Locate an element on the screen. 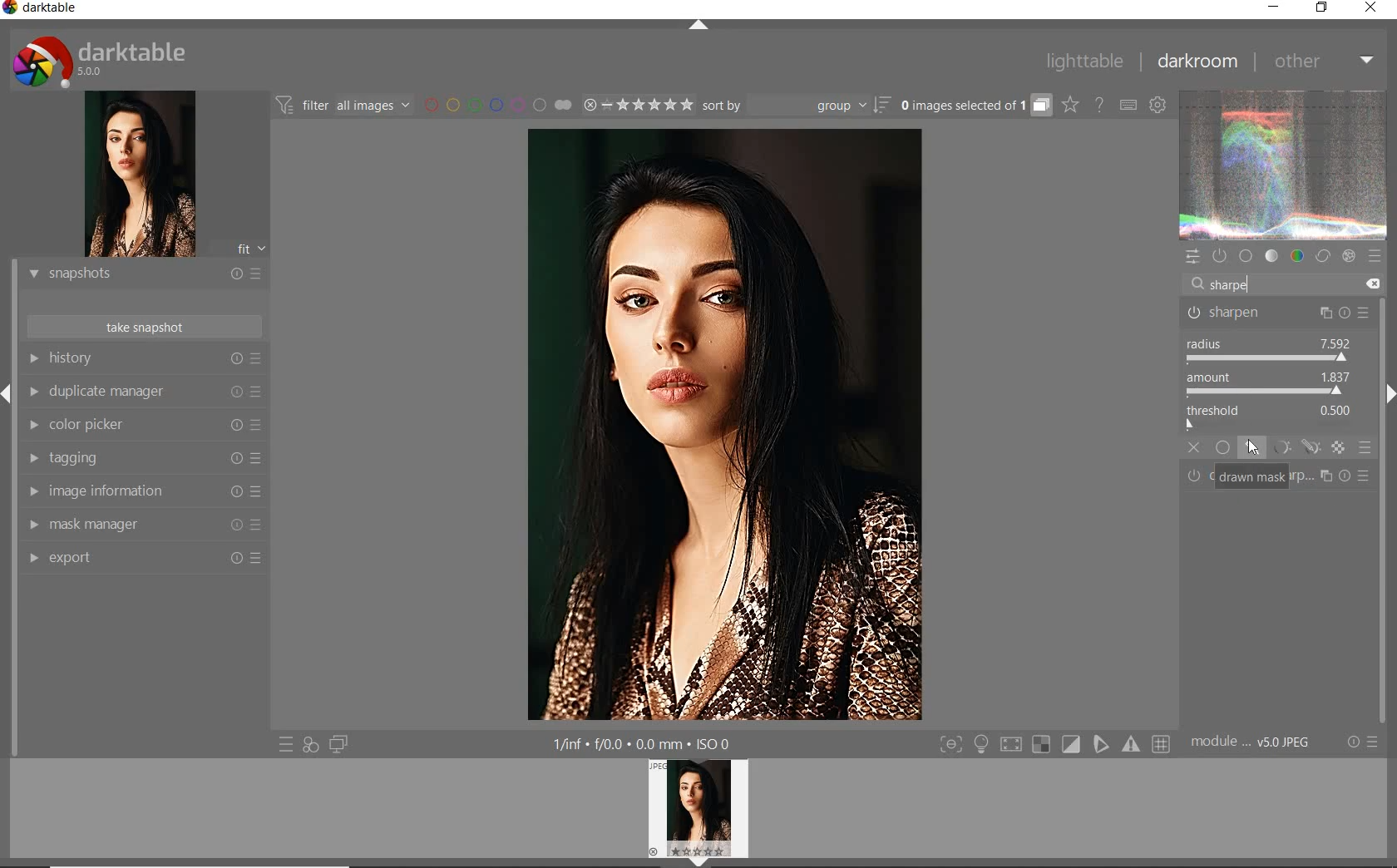  LIGHTTABLE is located at coordinates (1083, 62).